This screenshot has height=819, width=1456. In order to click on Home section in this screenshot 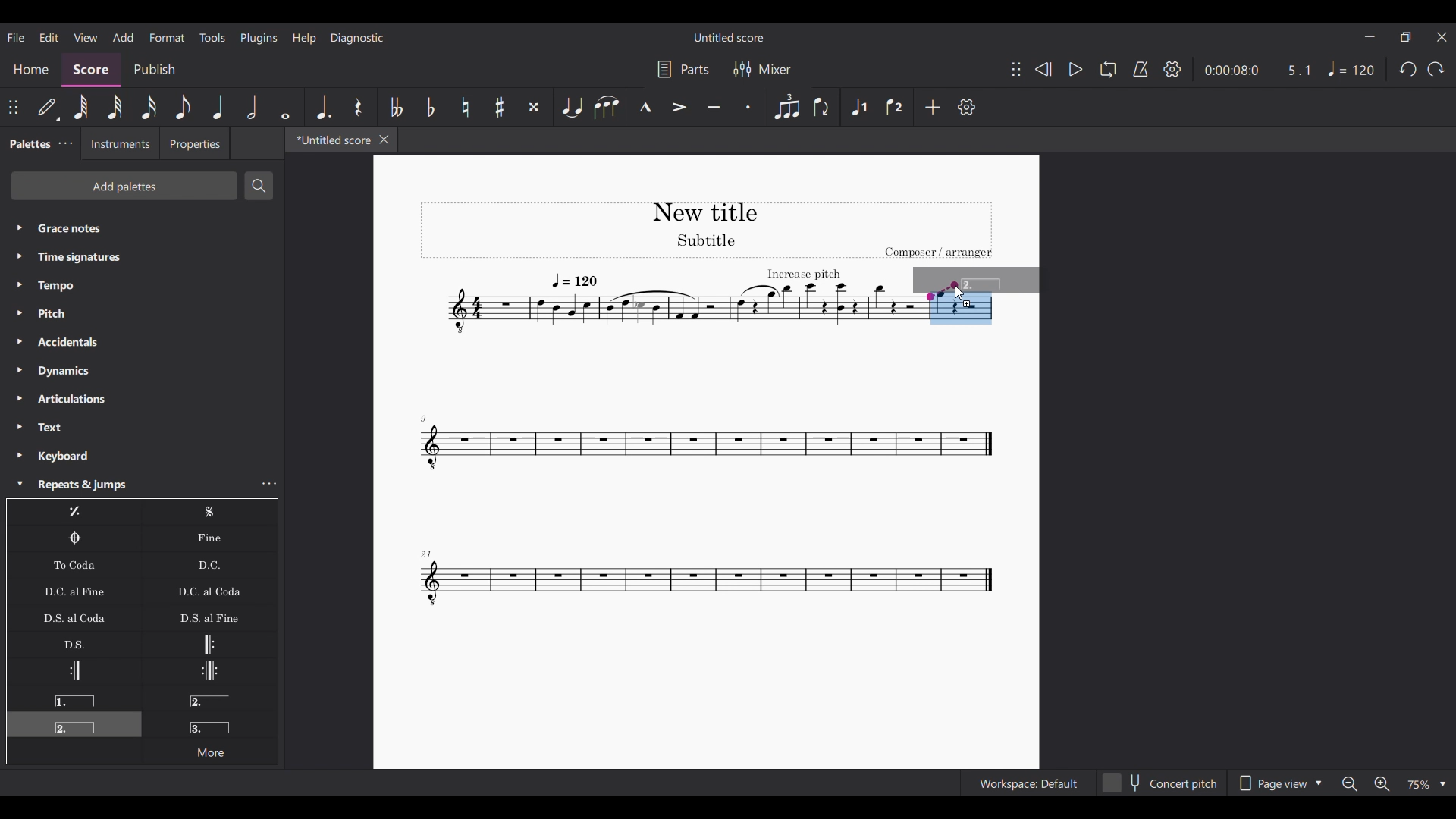, I will do `click(30, 69)`.